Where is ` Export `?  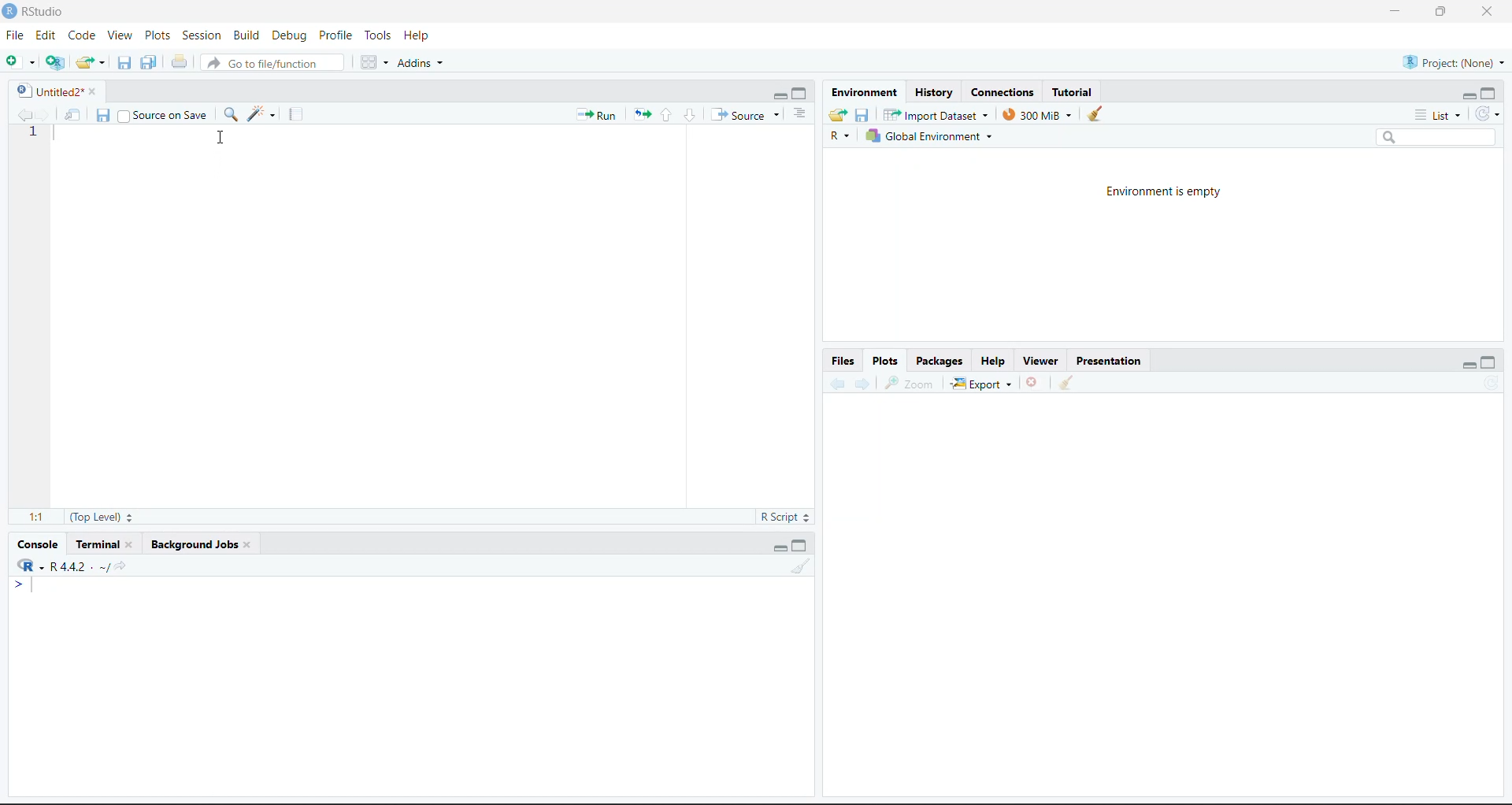
 Export  is located at coordinates (980, 382).